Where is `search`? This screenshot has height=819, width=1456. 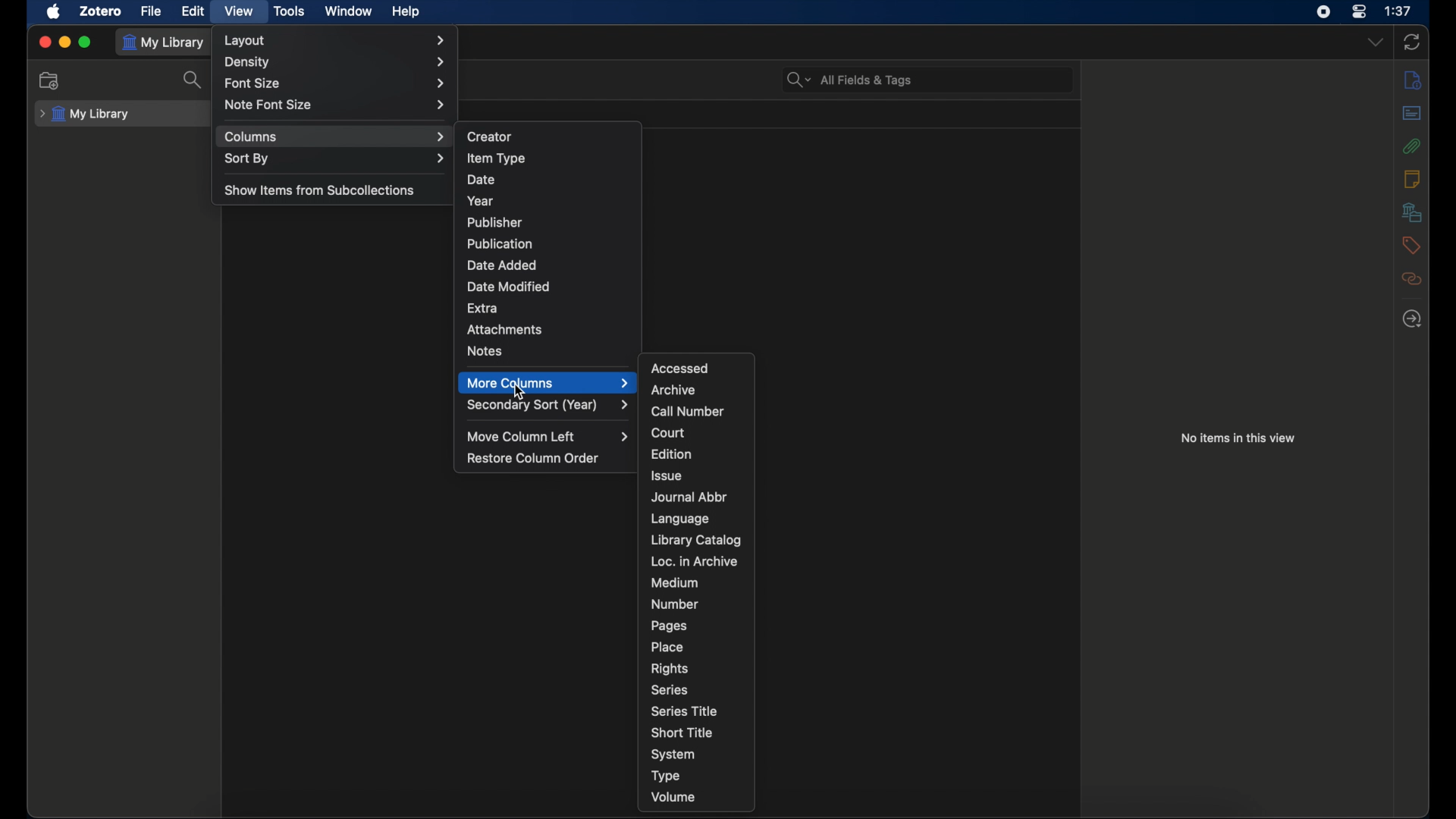 search is located at coordinates (193, 83).